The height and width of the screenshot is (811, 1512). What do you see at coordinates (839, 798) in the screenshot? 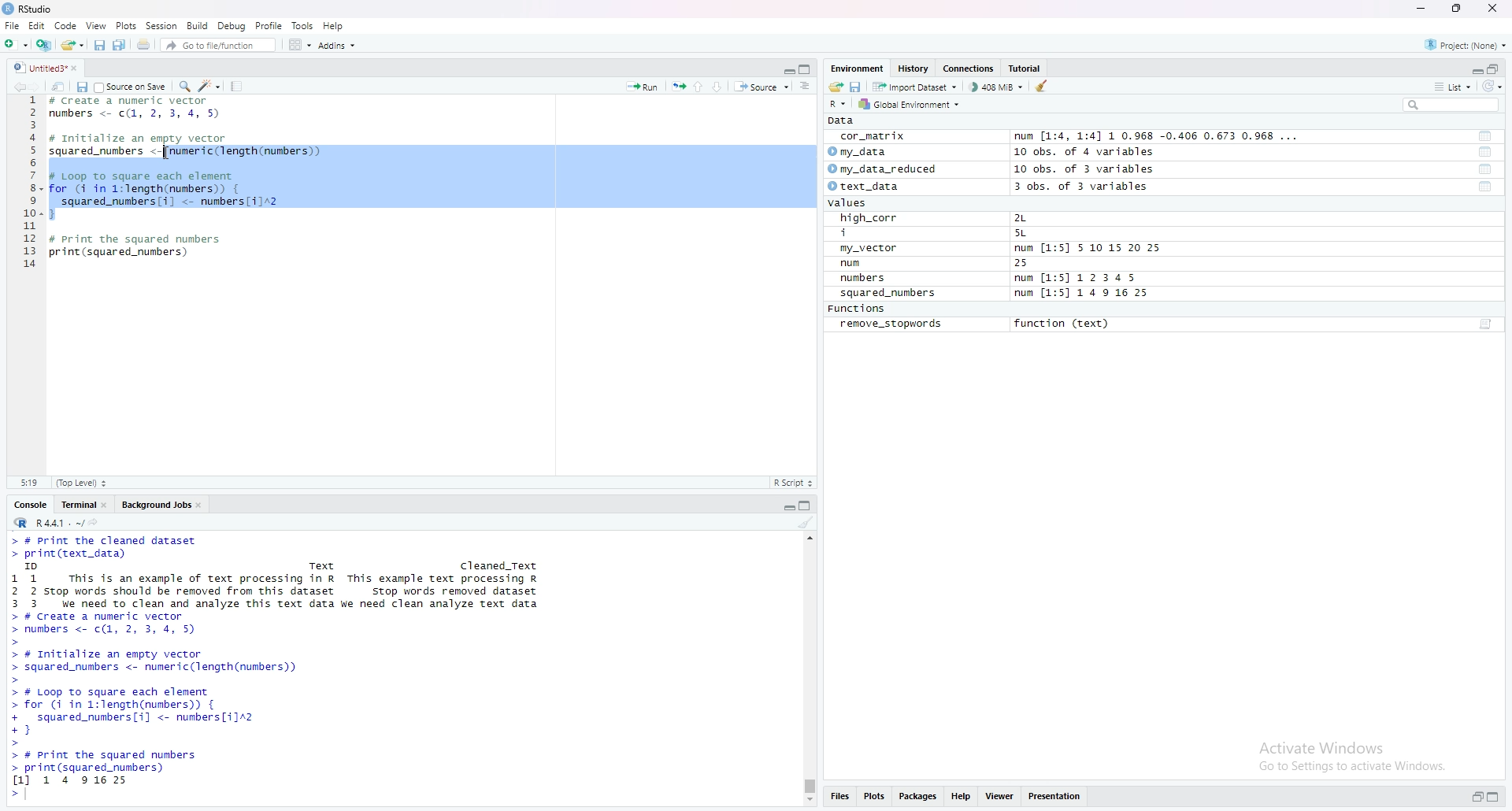
I see `Files` at bounding box center [839, 798].